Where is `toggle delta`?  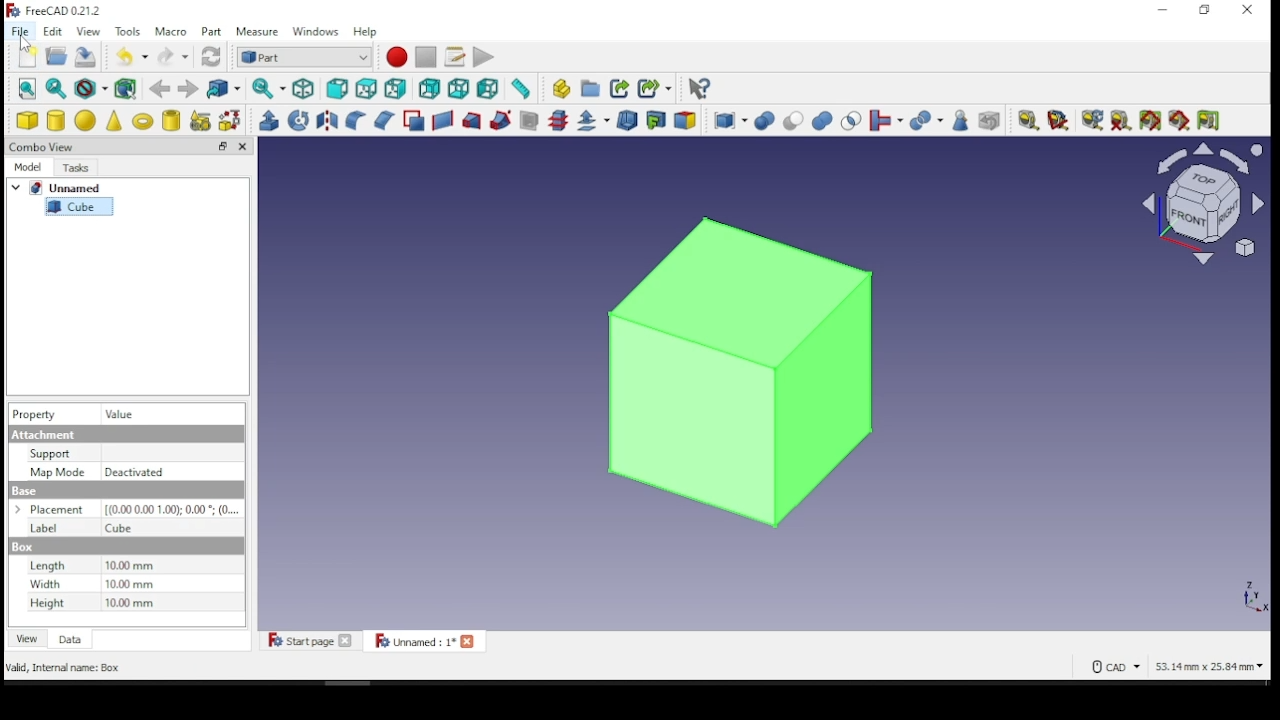 toggle delta is located at coordinates (1210, 120).